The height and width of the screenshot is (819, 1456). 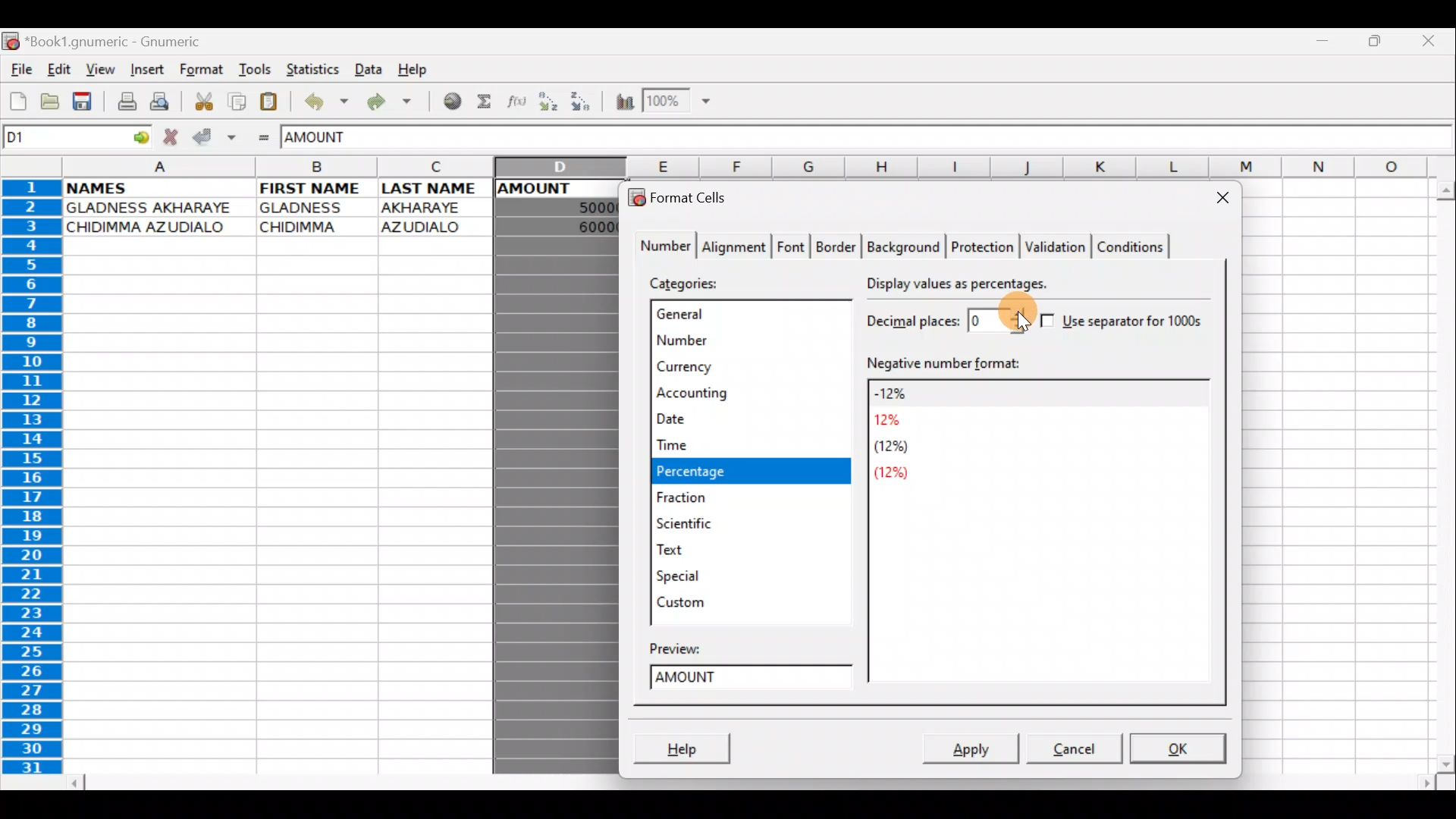 What do you see at coordinates (271, 100) in the screenshot?
I see `Paste clipboard` at bounding box center [271, 100].